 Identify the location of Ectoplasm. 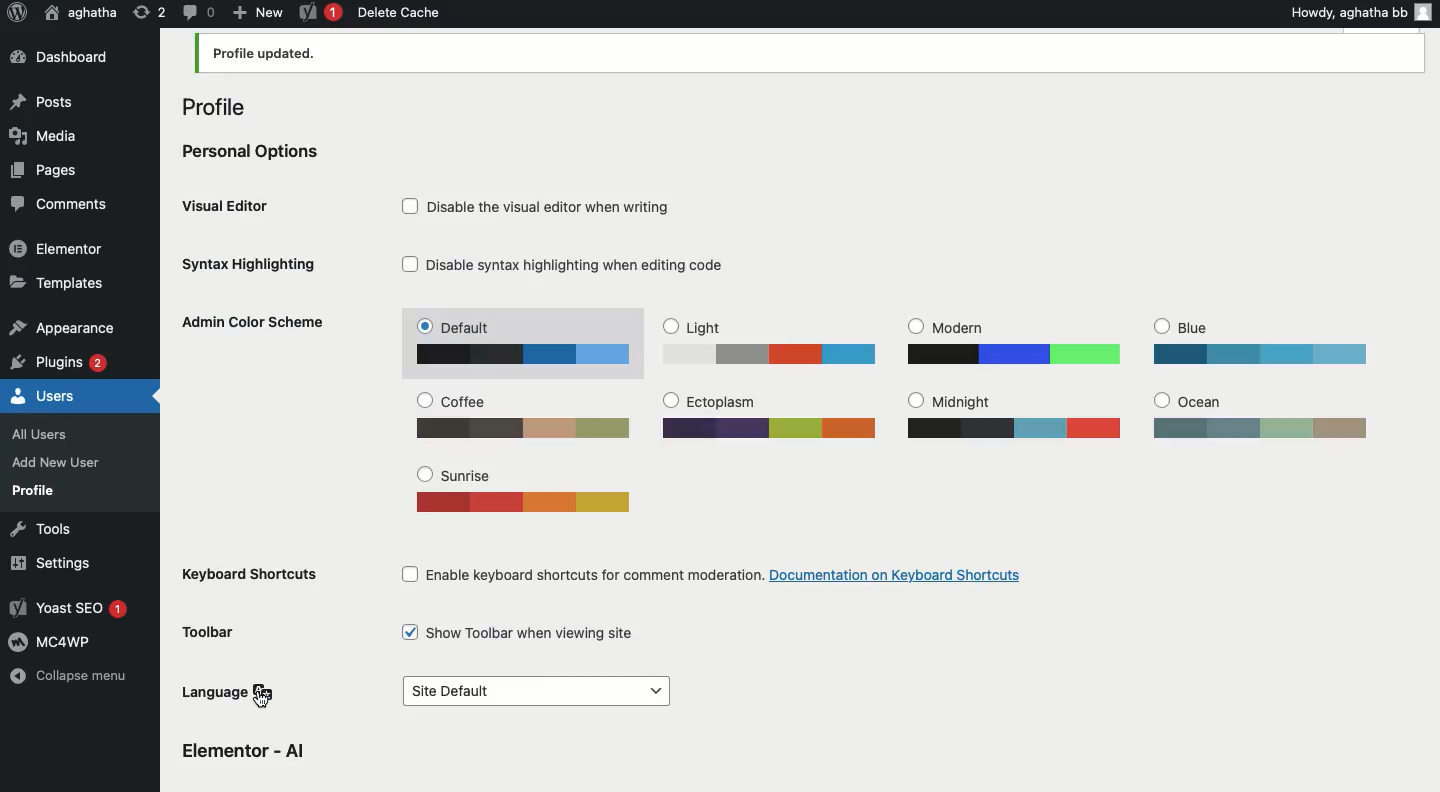
(771, 415).